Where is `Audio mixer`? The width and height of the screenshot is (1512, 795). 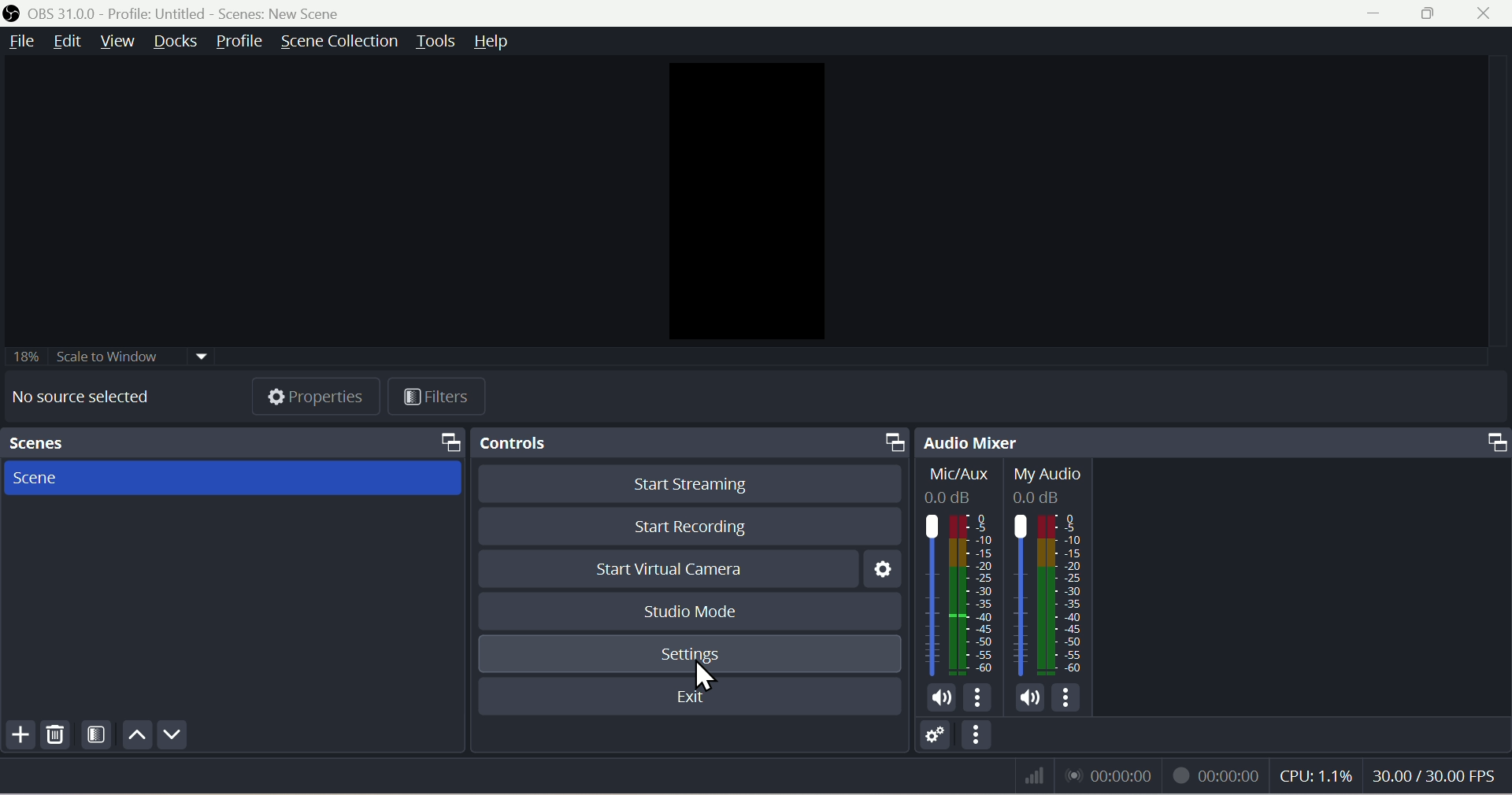
Audio mixer is located at coordinates (1039, 442).